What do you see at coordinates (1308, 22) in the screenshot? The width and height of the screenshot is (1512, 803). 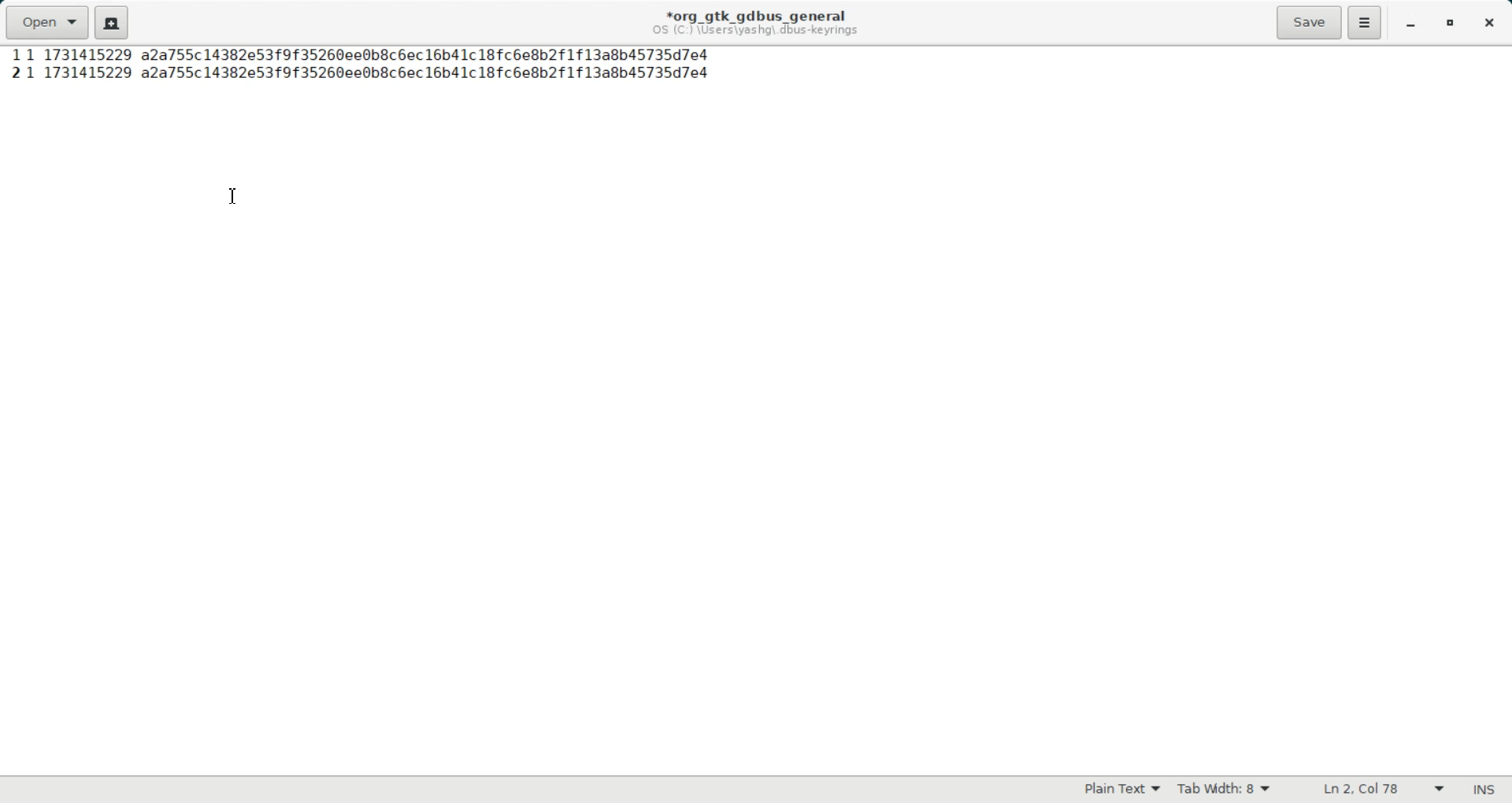 I see `Save` at bounding box center [1308, 22].